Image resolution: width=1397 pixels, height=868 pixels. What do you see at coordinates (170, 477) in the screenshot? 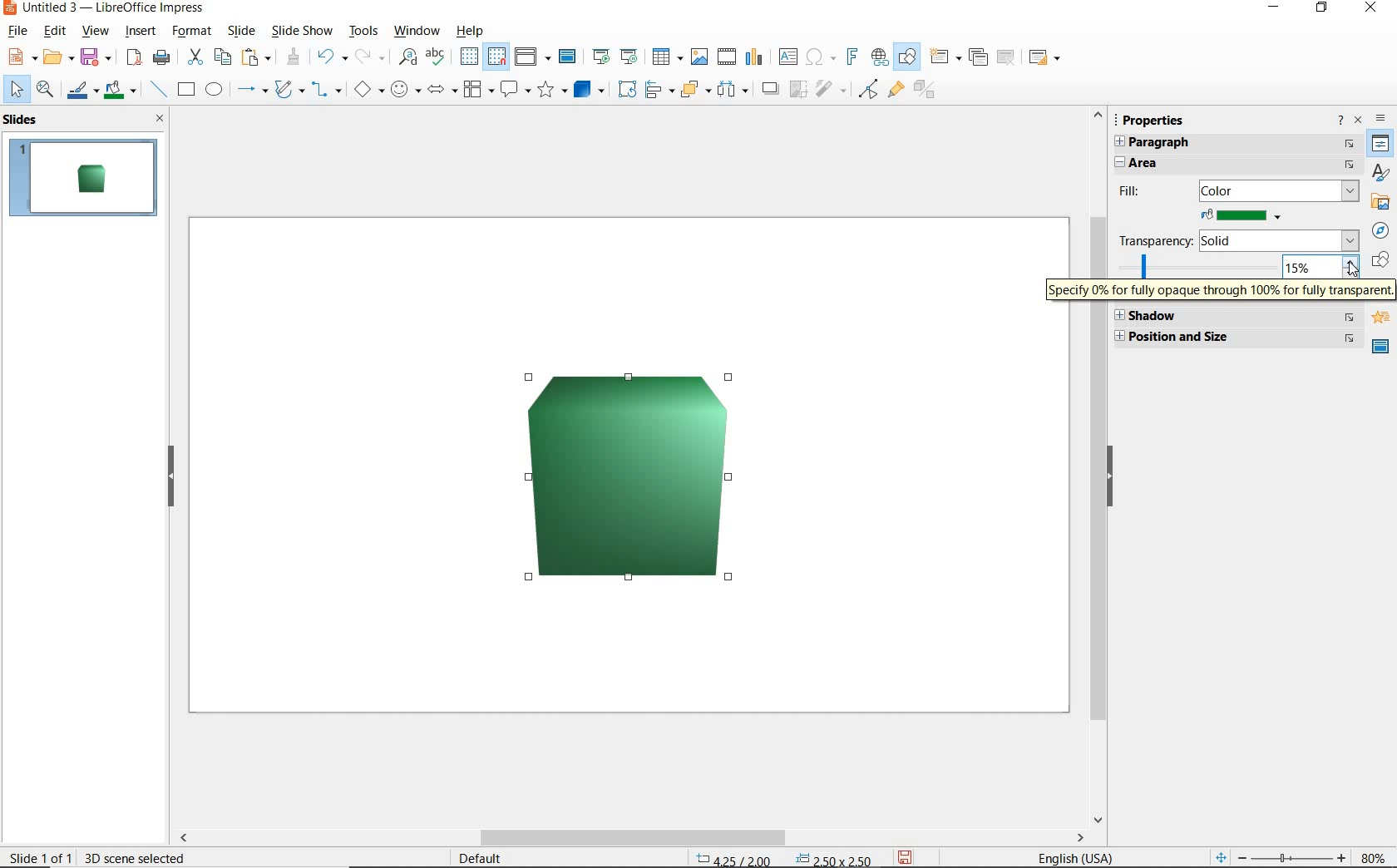
I see `HIDE` at bounding box center [170, 477].